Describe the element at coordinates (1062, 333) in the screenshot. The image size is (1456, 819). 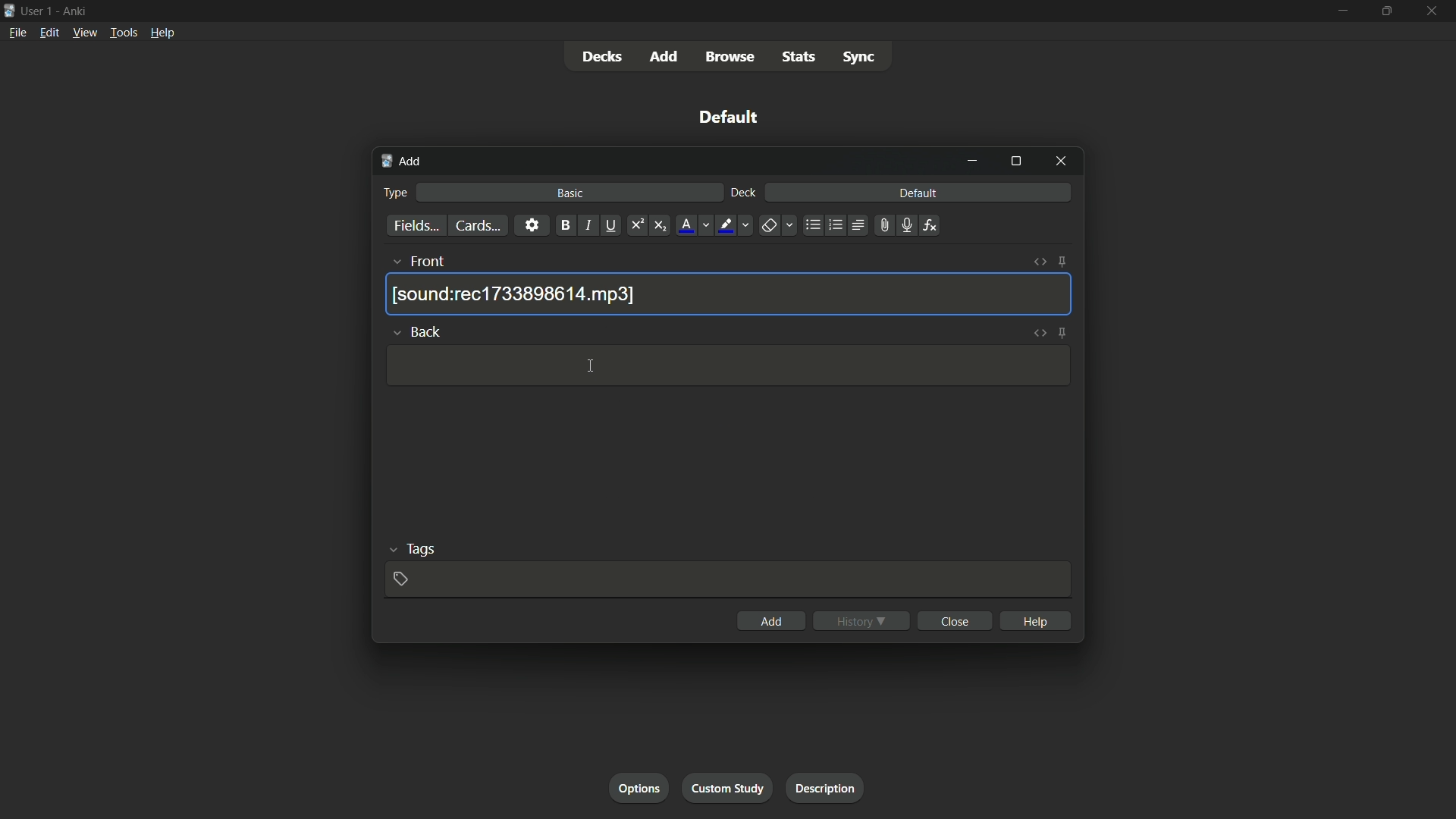
I see `toggle sticky` at that location.